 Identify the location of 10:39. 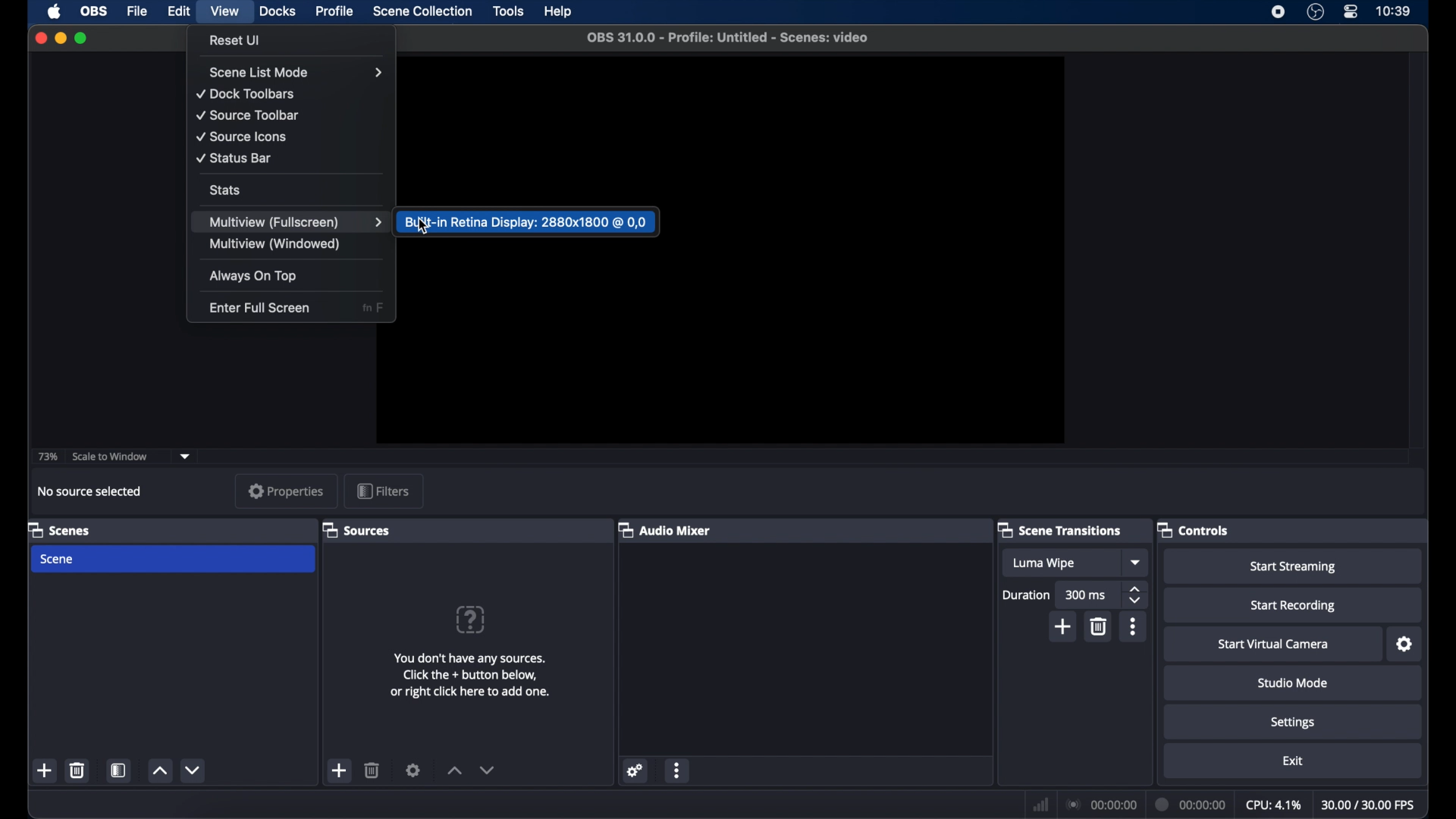
(1393, 12).